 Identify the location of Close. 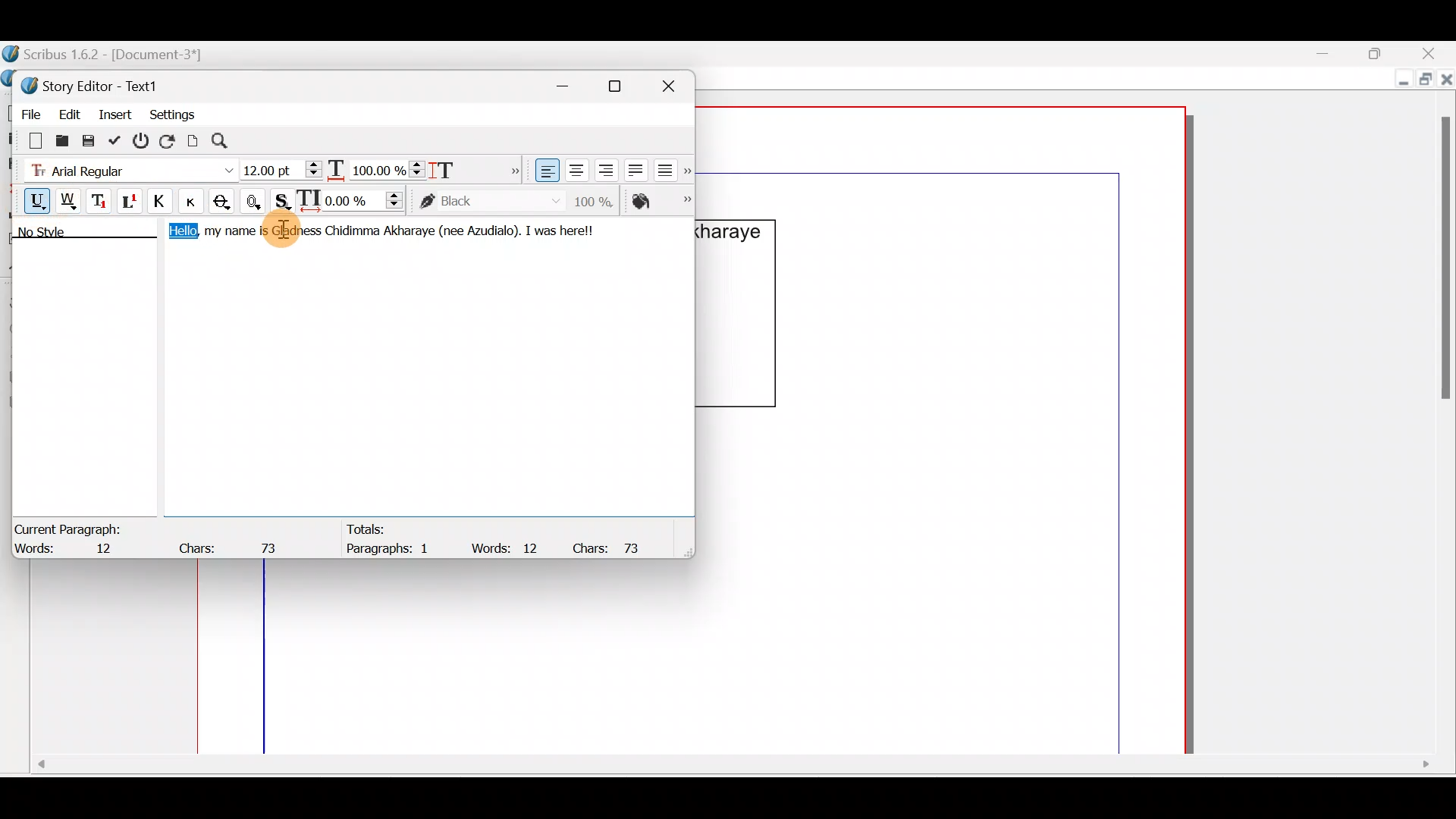
(675, 83).